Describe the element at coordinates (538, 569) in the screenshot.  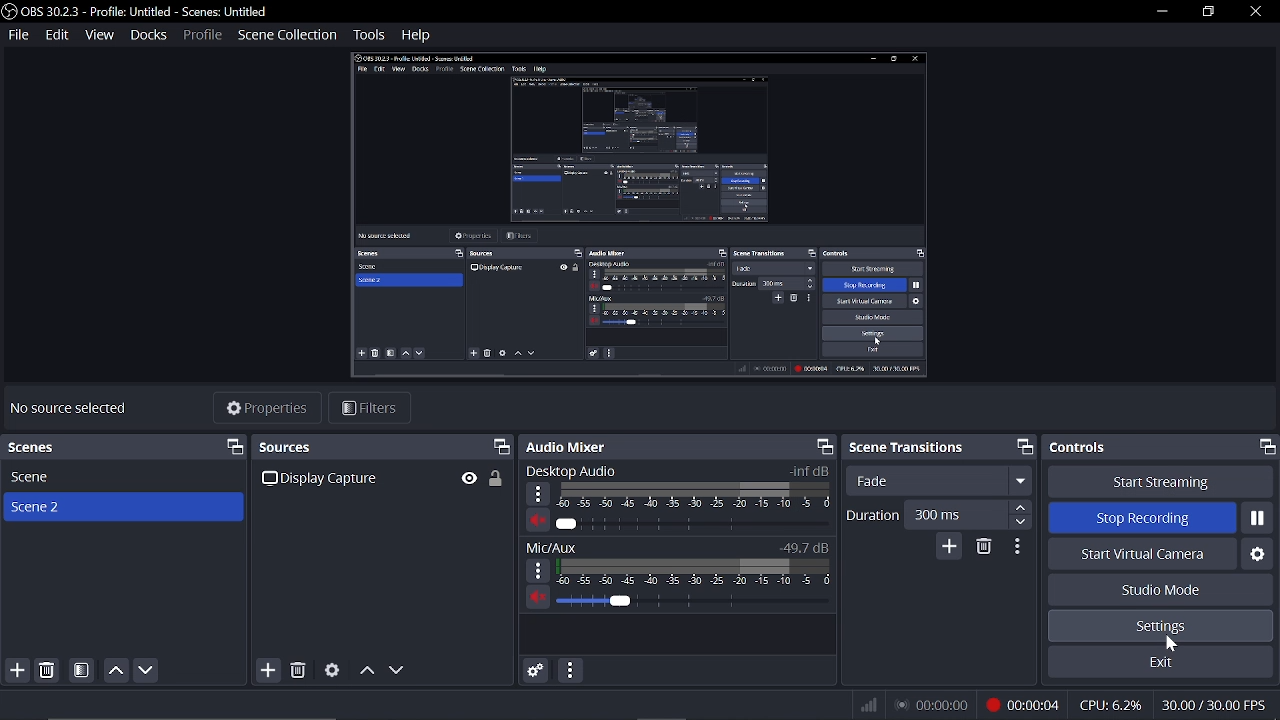
I see `mic/aux menu` at that location.